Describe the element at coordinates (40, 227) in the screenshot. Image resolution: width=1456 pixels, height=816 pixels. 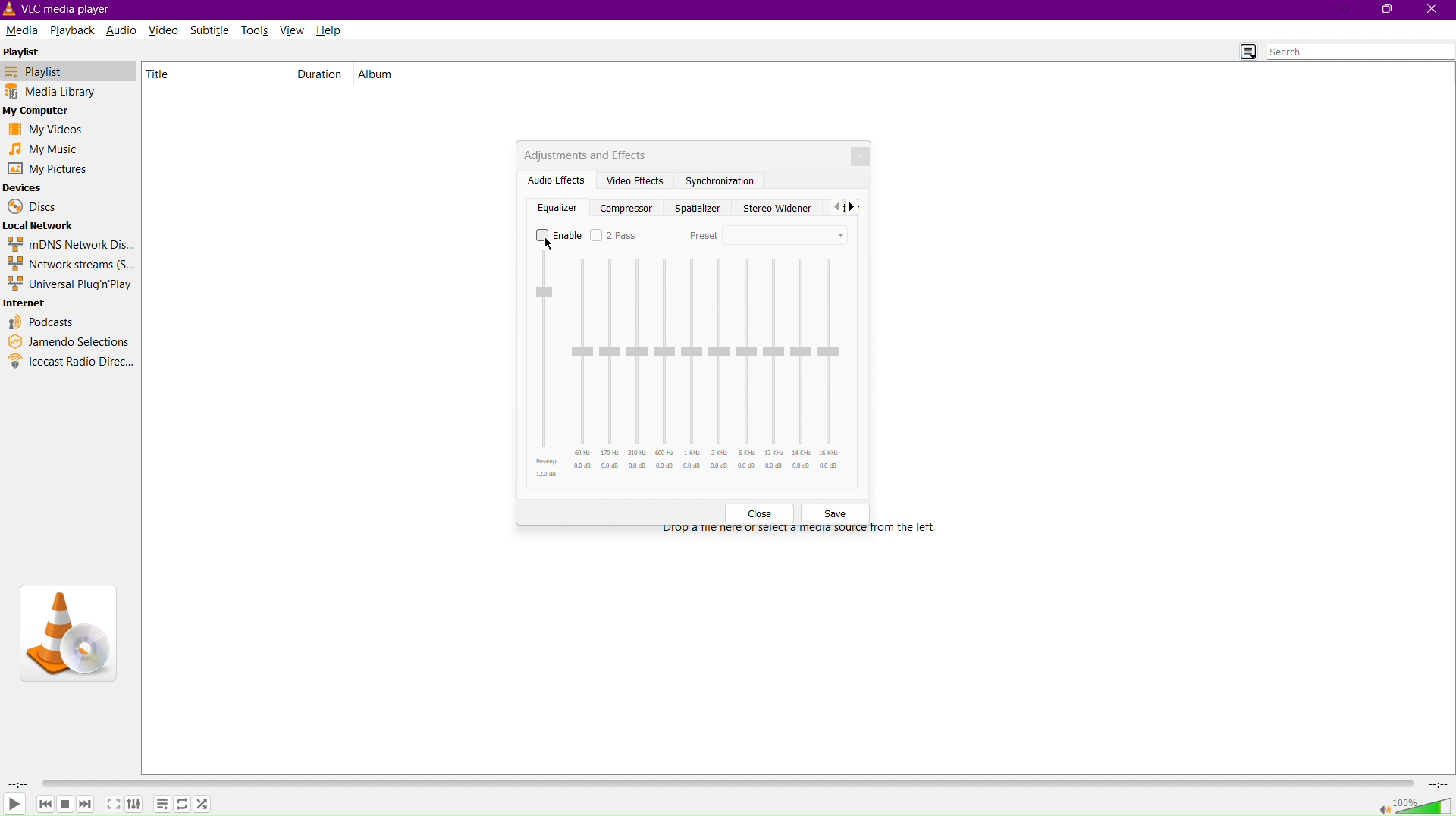
I see `Local Network` at that location.